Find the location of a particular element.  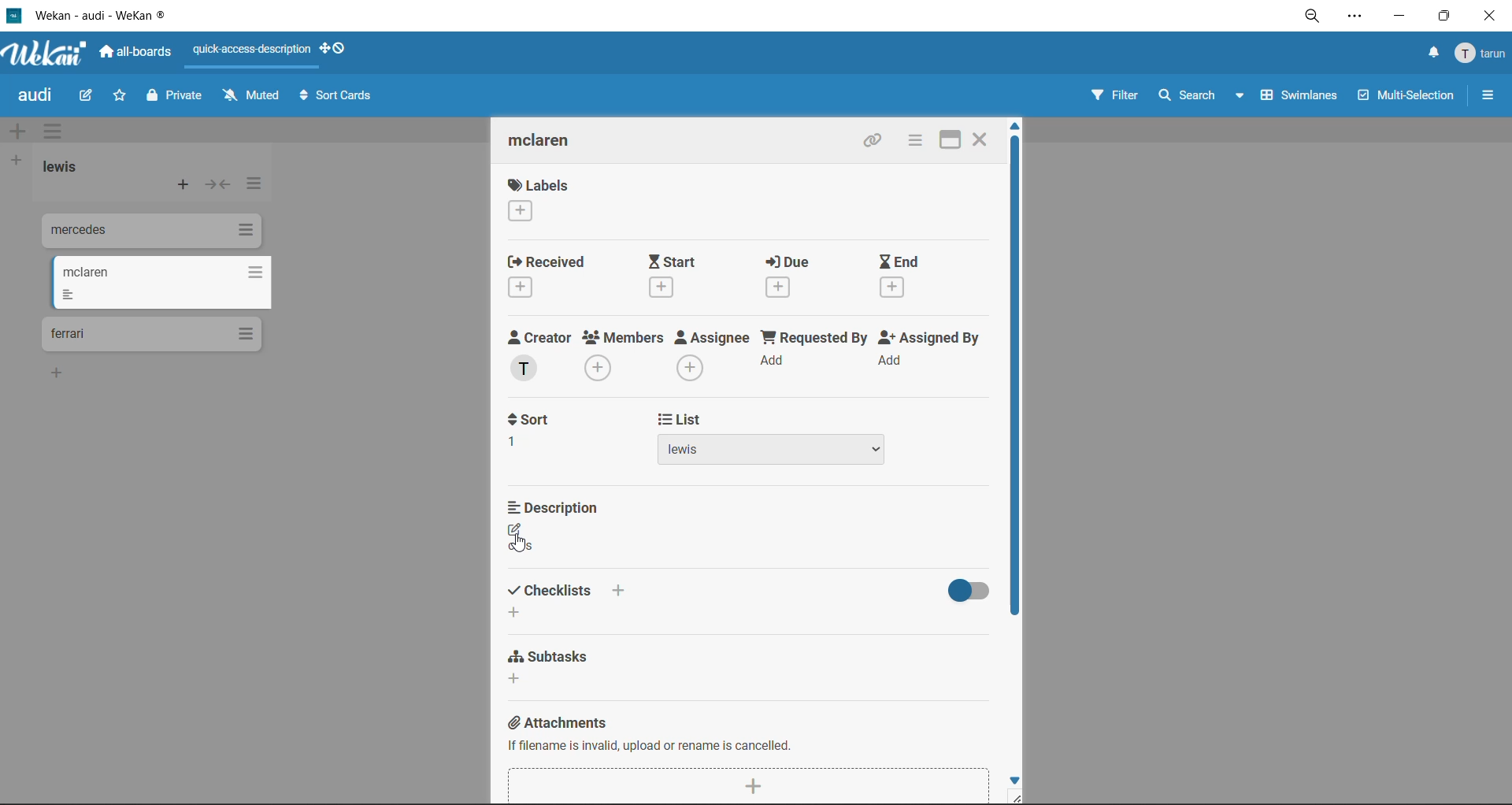

sidebar is located at coordinates (1488, 95).